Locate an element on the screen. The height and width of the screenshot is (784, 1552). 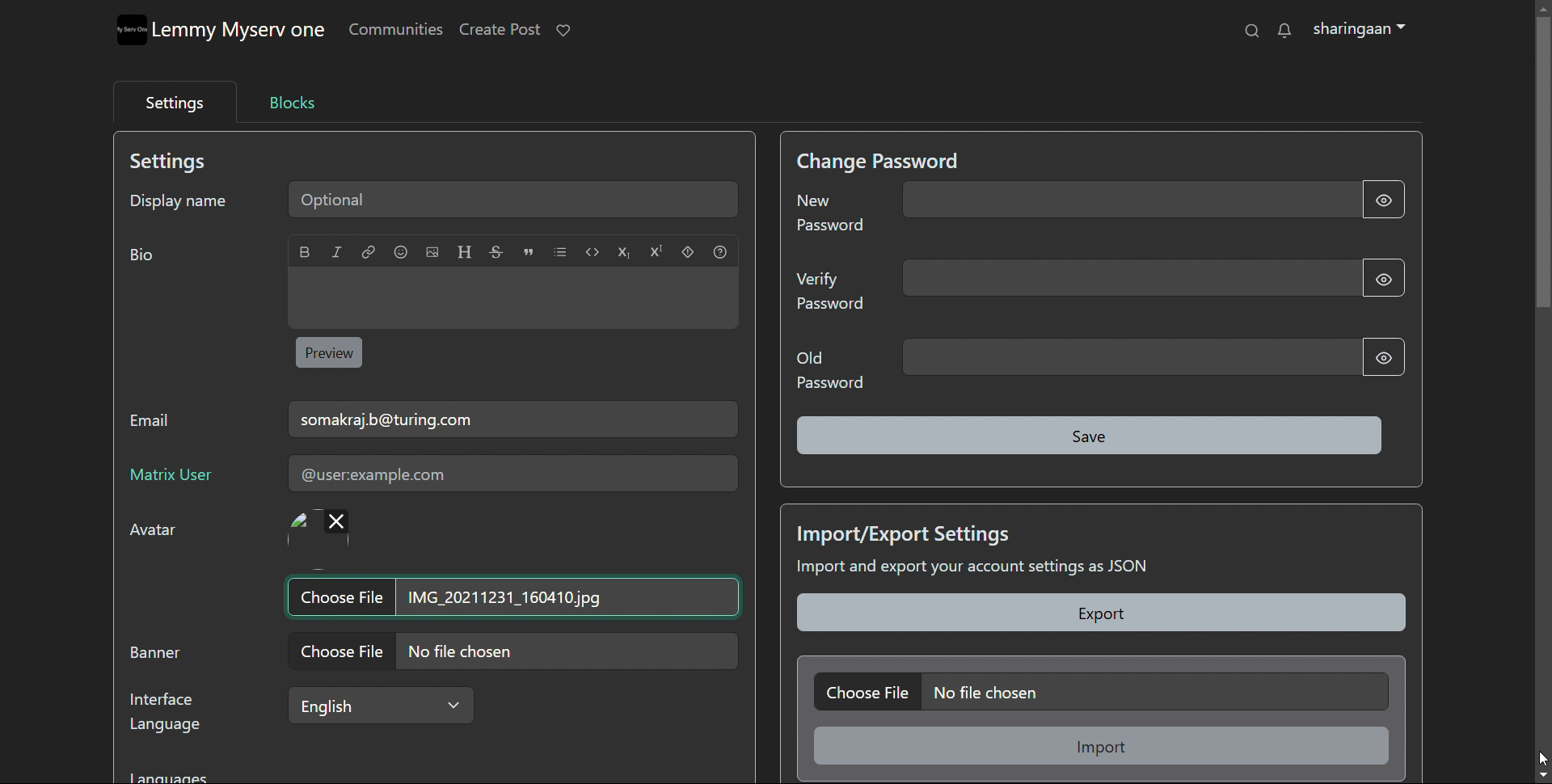
toggle visibility is located at coordinates (1381, 357).